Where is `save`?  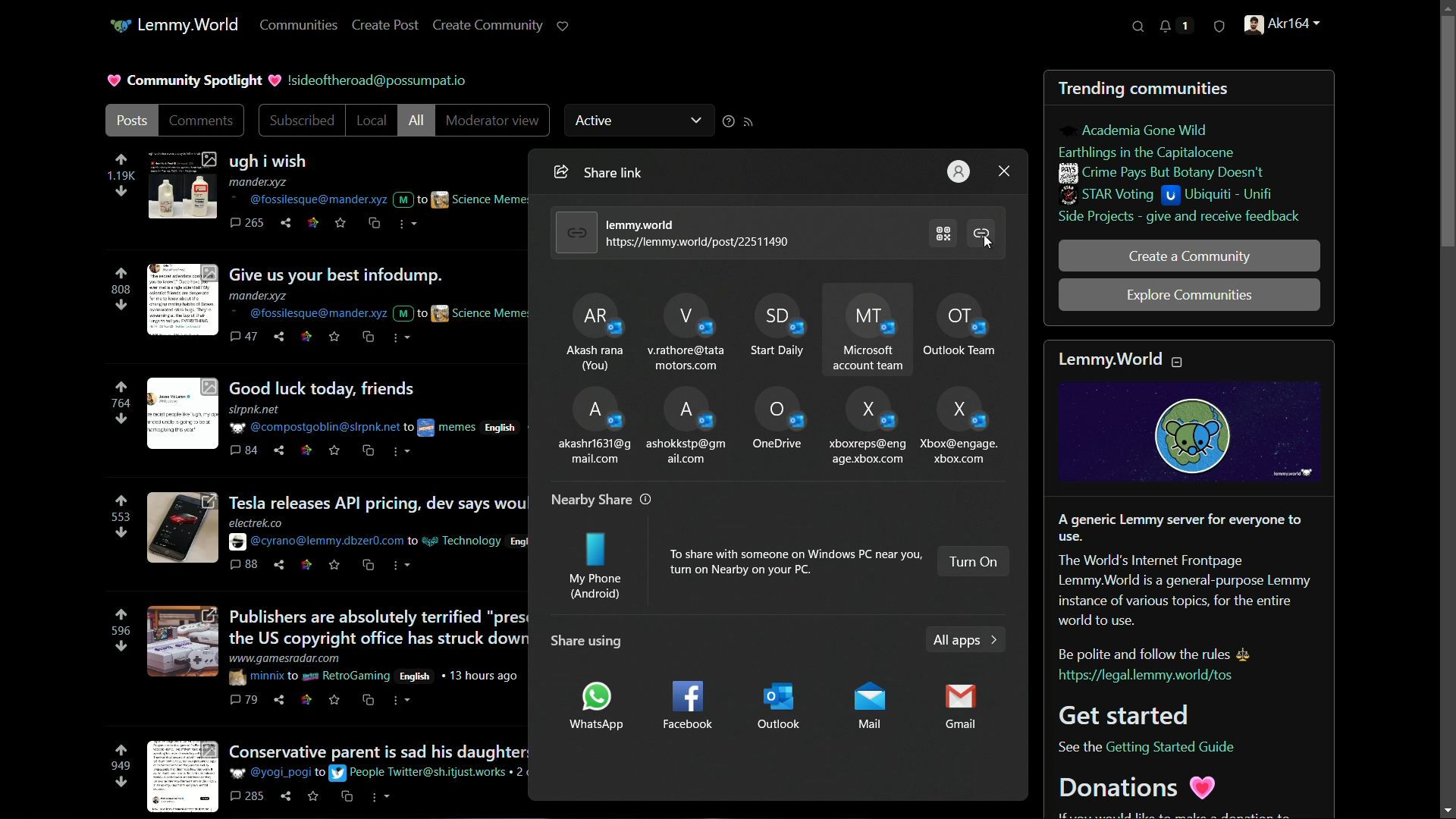 save is located at coordinates (315, 799).